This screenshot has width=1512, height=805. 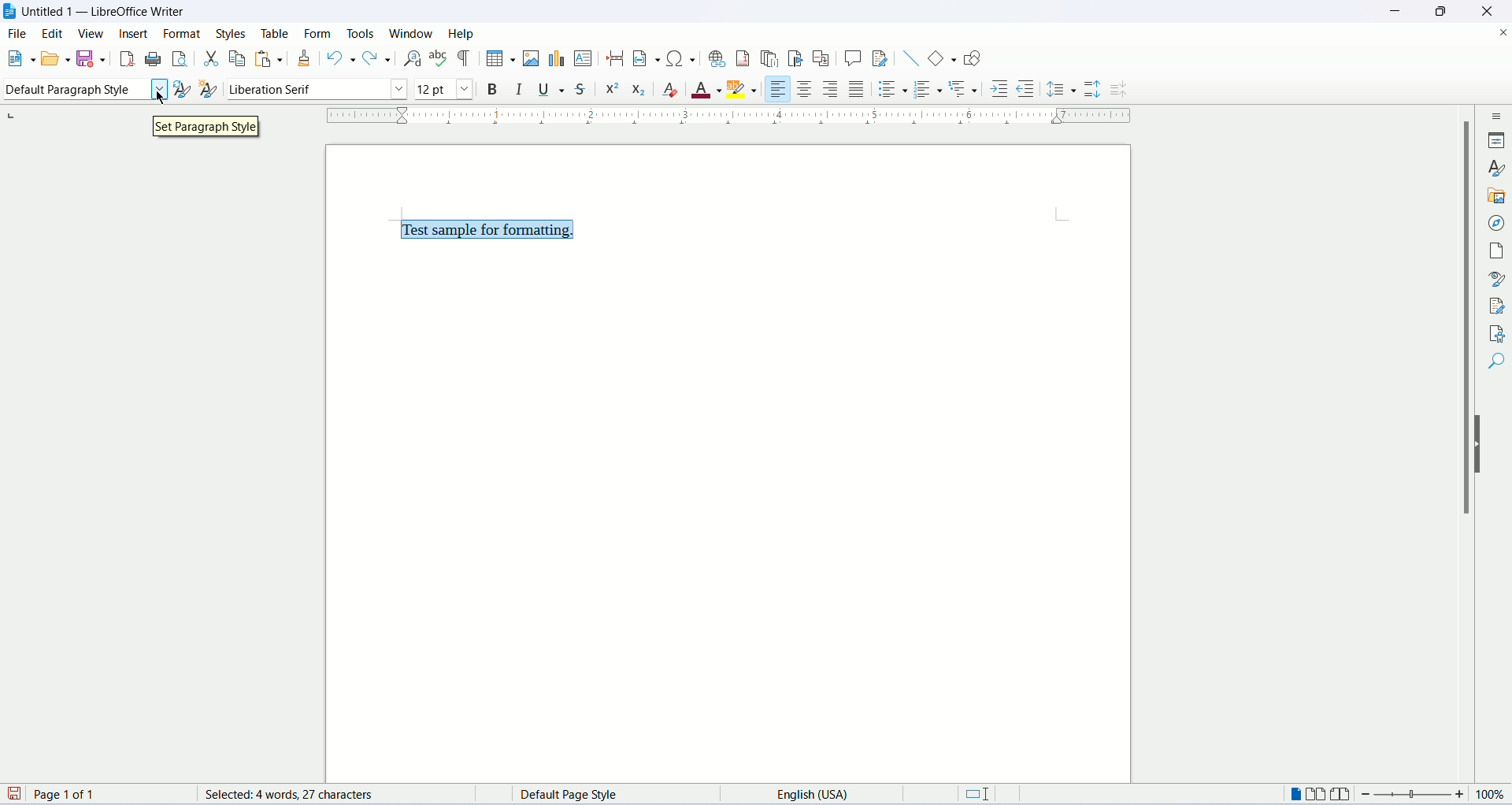 I want to click on navigator, so click(x=1495, y=224).